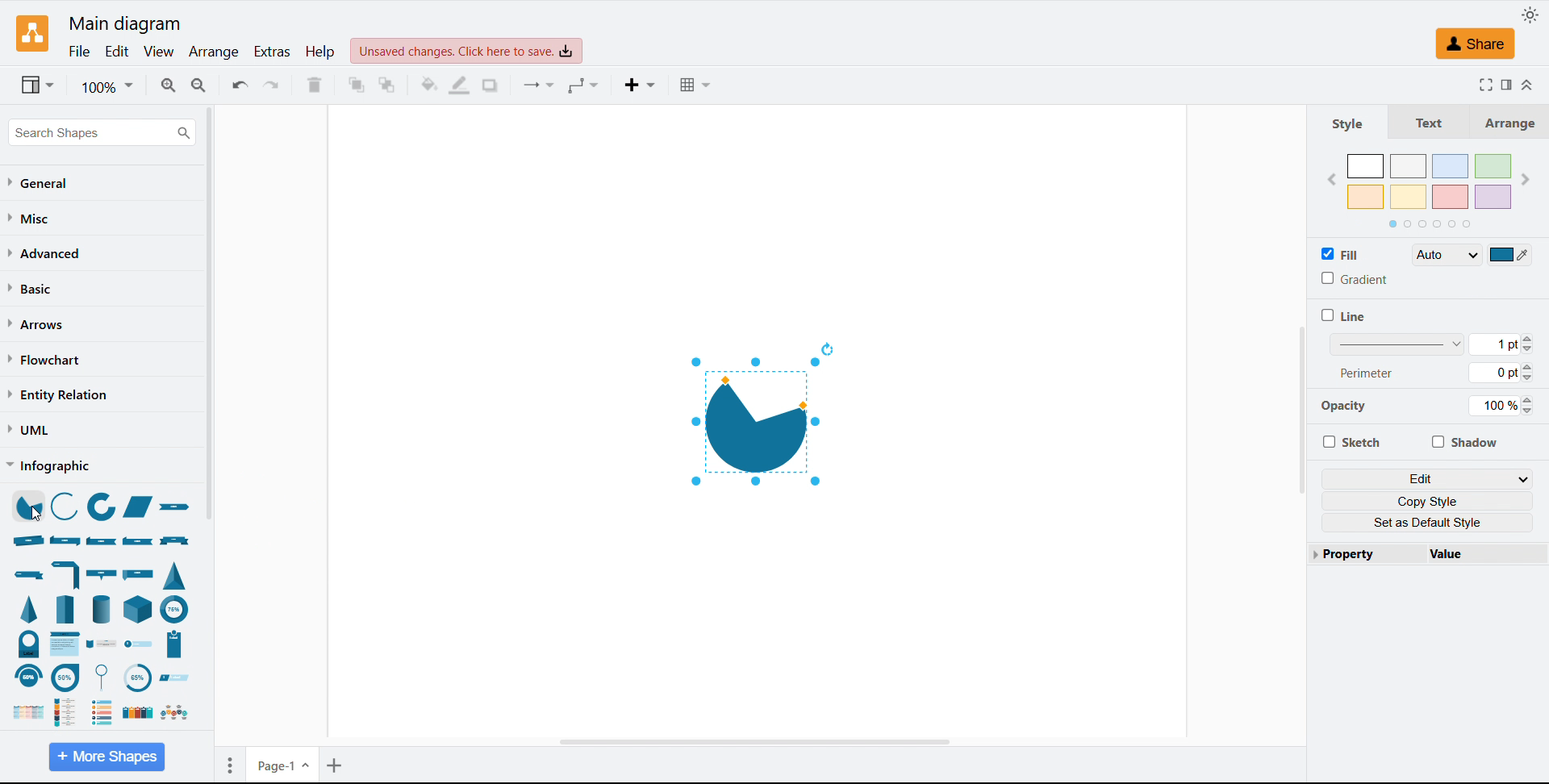 This screenshot has width=1549, height=784. I want to click on Extras , so click(271, 52).